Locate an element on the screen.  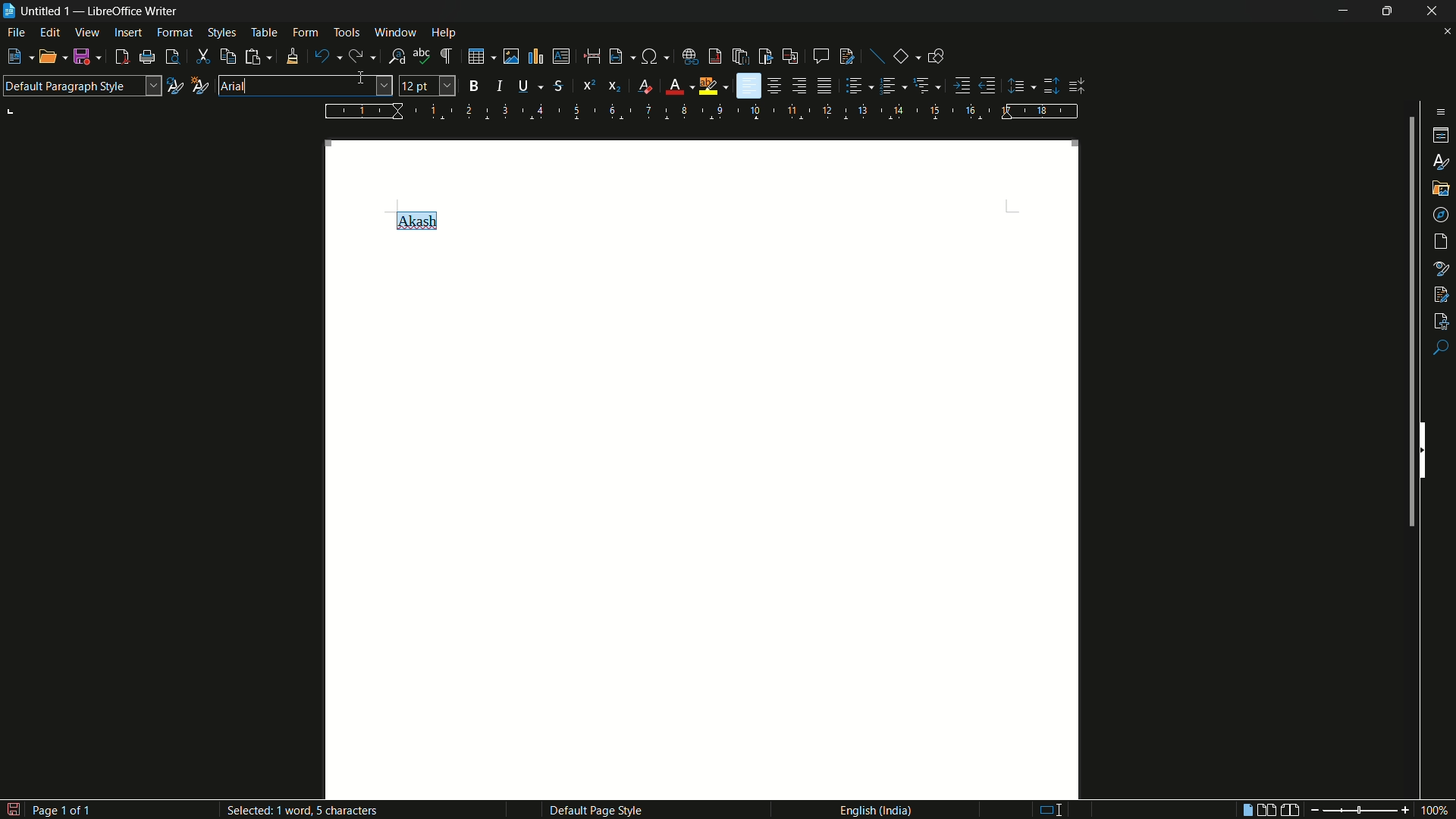
toggle formatting marks is located at coordinates (447, 57).